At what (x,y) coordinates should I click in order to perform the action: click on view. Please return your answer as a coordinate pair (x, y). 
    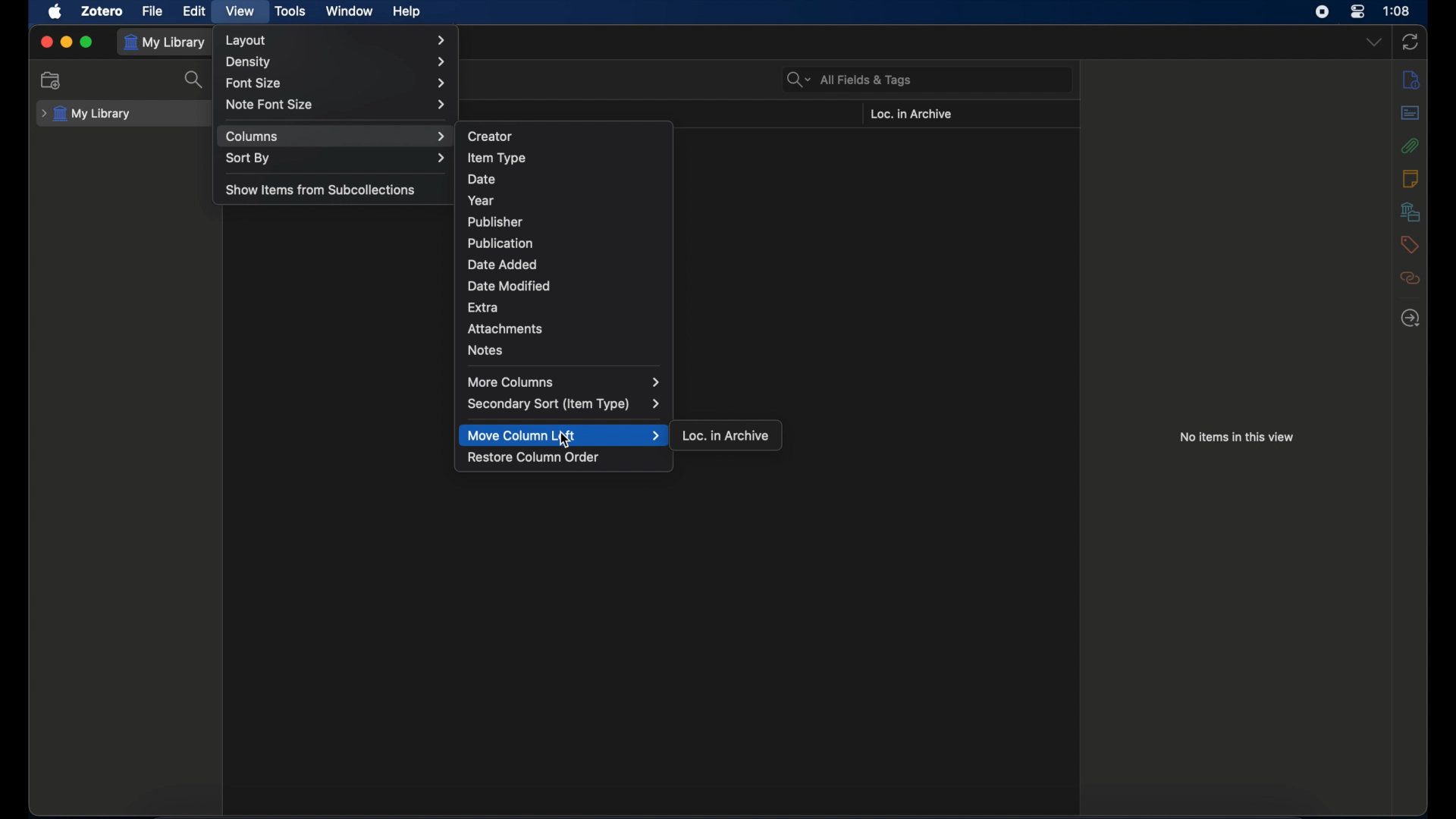
    Looking at the image, I should click on (241, 12).